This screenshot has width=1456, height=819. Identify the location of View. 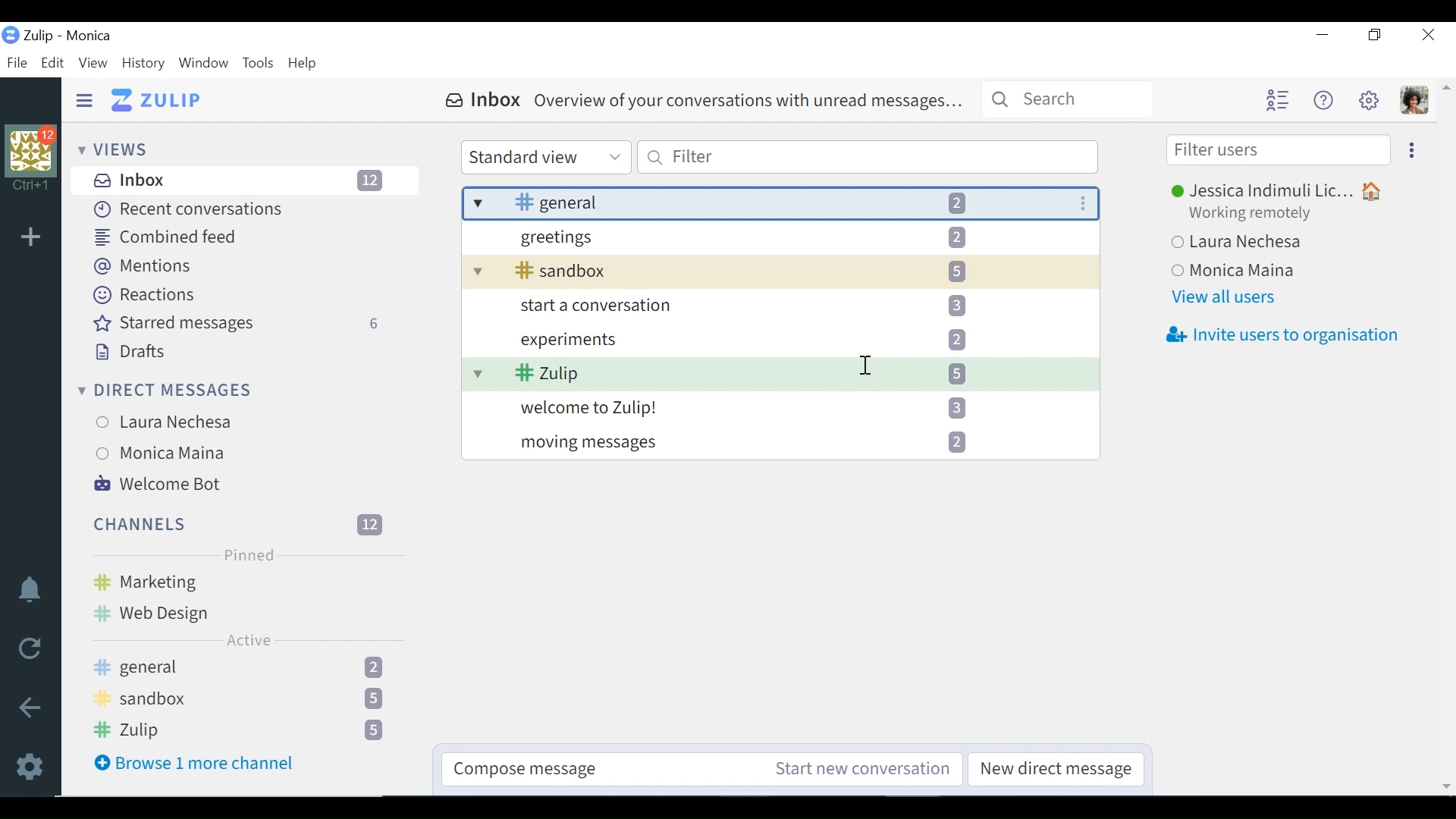
(93, 63).